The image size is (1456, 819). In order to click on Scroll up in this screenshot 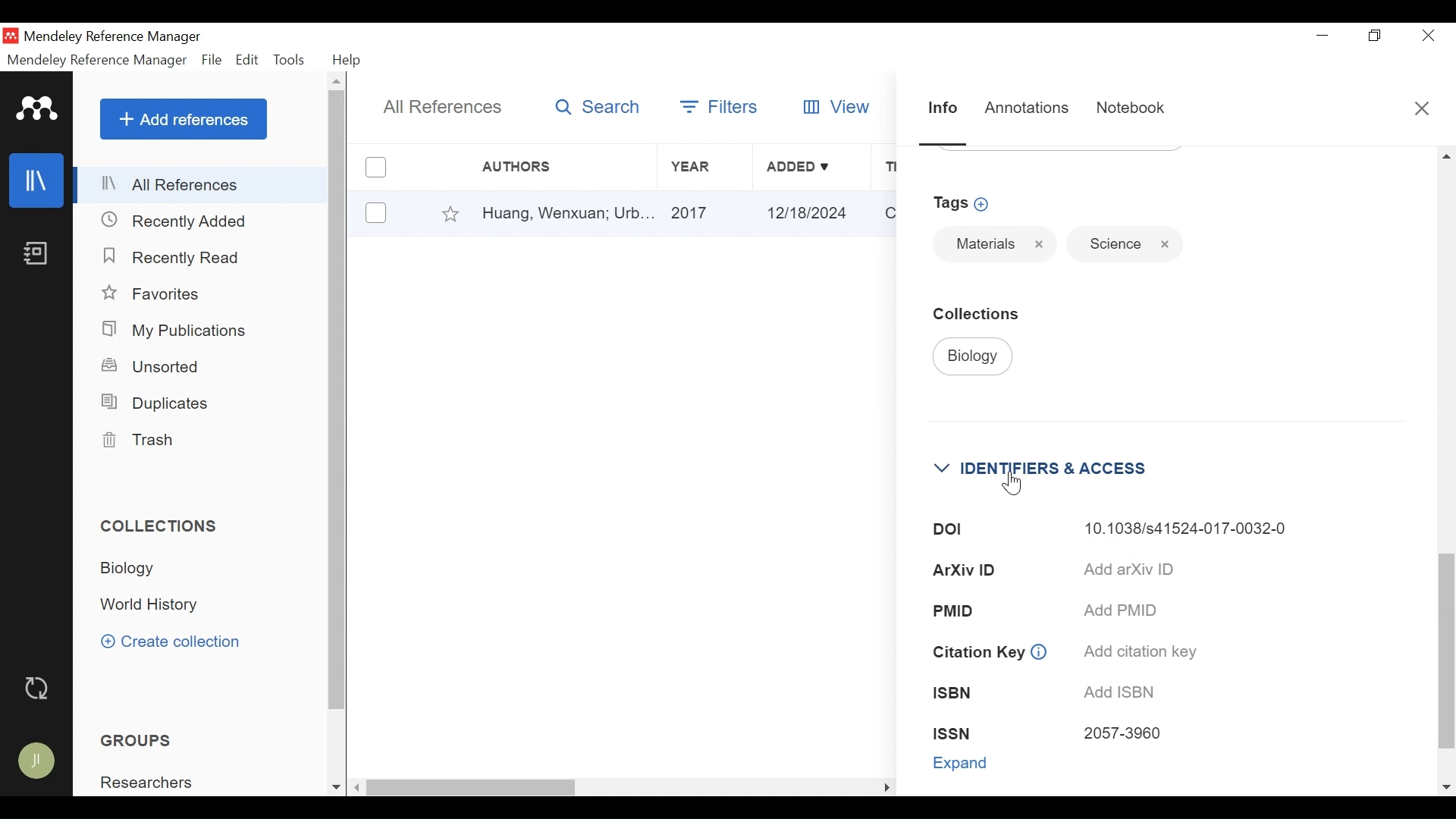, I will do `click(338, 82)`.